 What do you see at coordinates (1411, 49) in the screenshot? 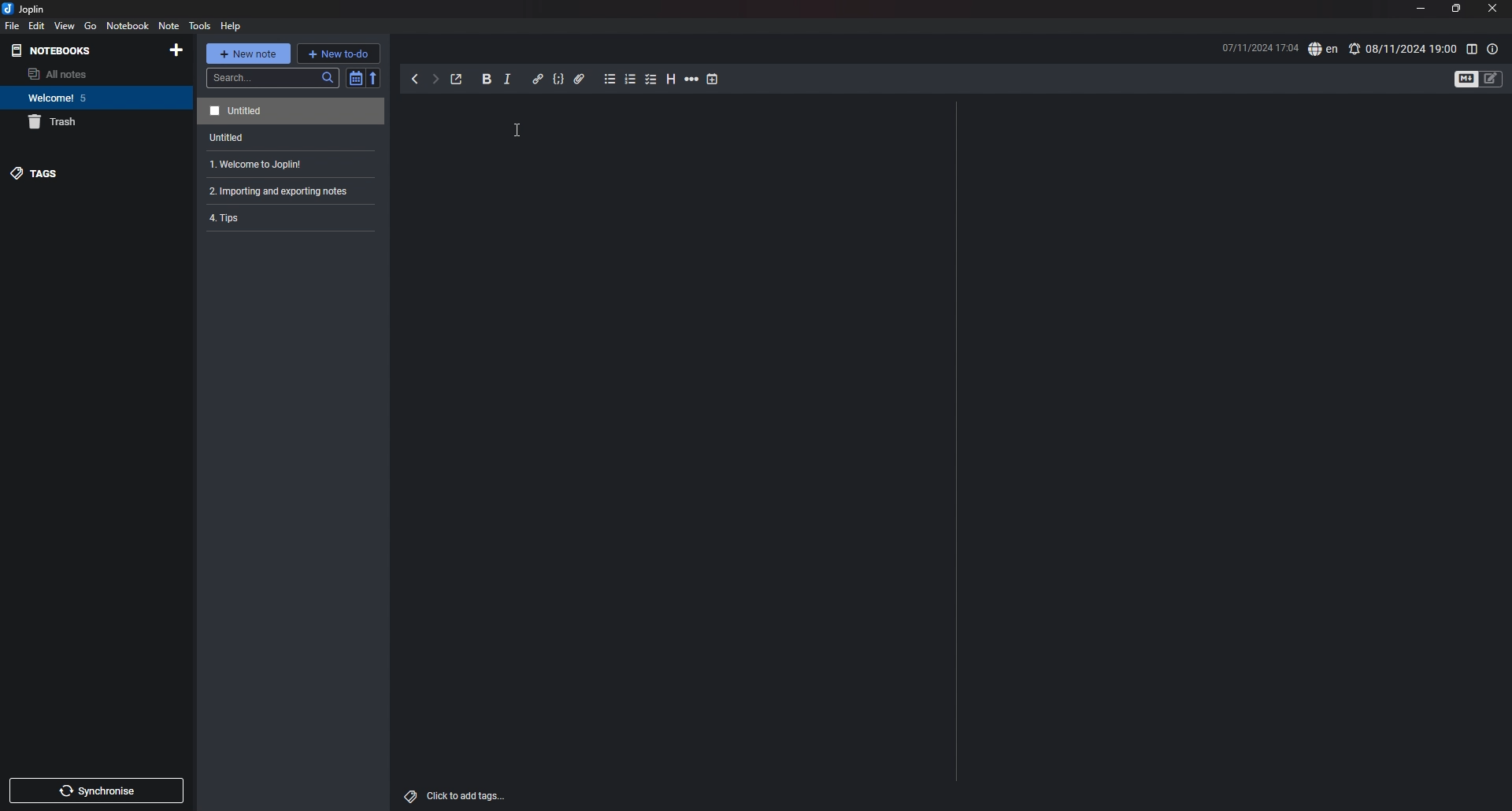
I see `alarm time` at bounding box center [1411, 49].